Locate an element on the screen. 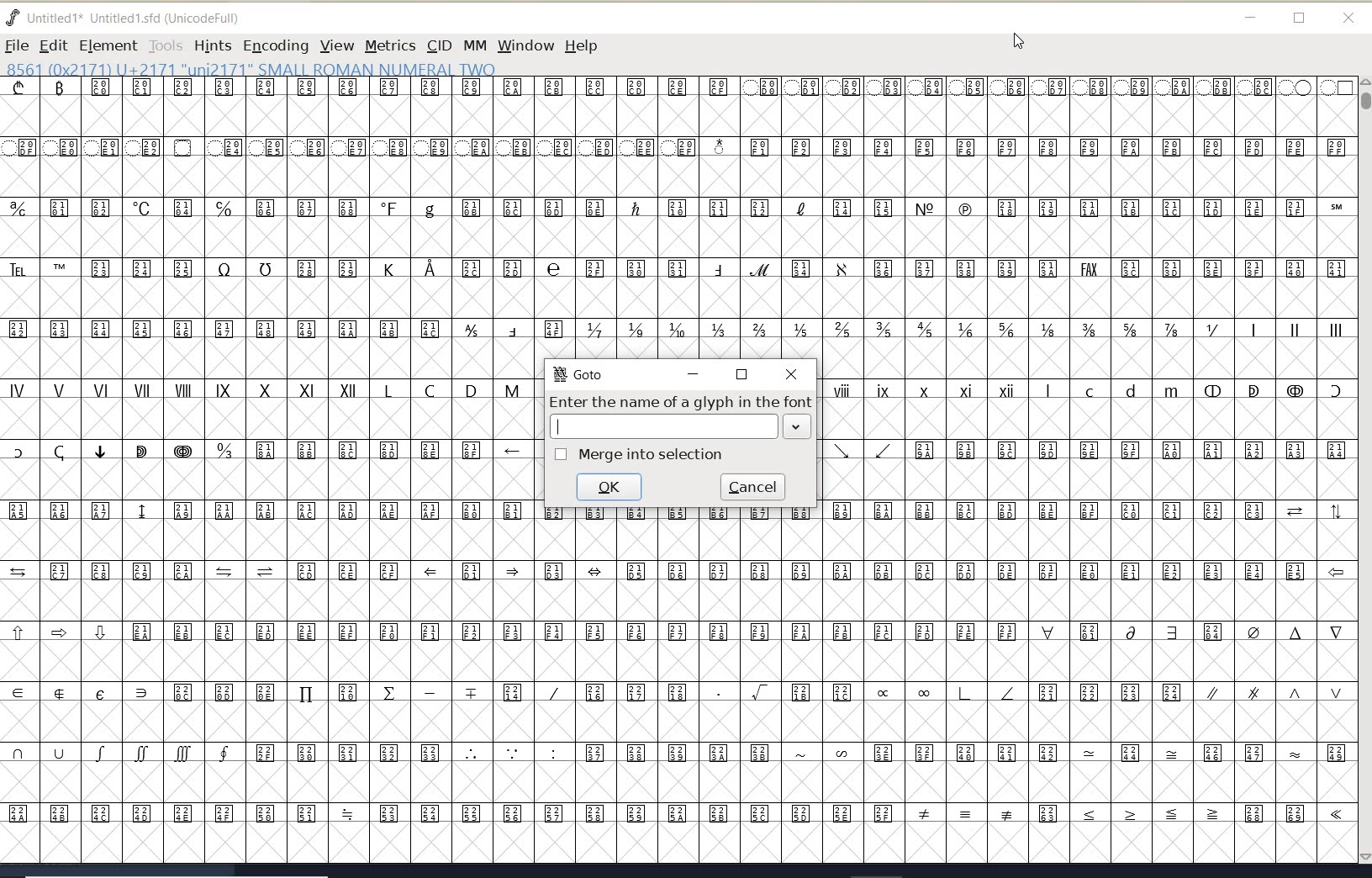 This screenshot has width=1372, height=878. fontforge logo is located at coordinates (13, 18).